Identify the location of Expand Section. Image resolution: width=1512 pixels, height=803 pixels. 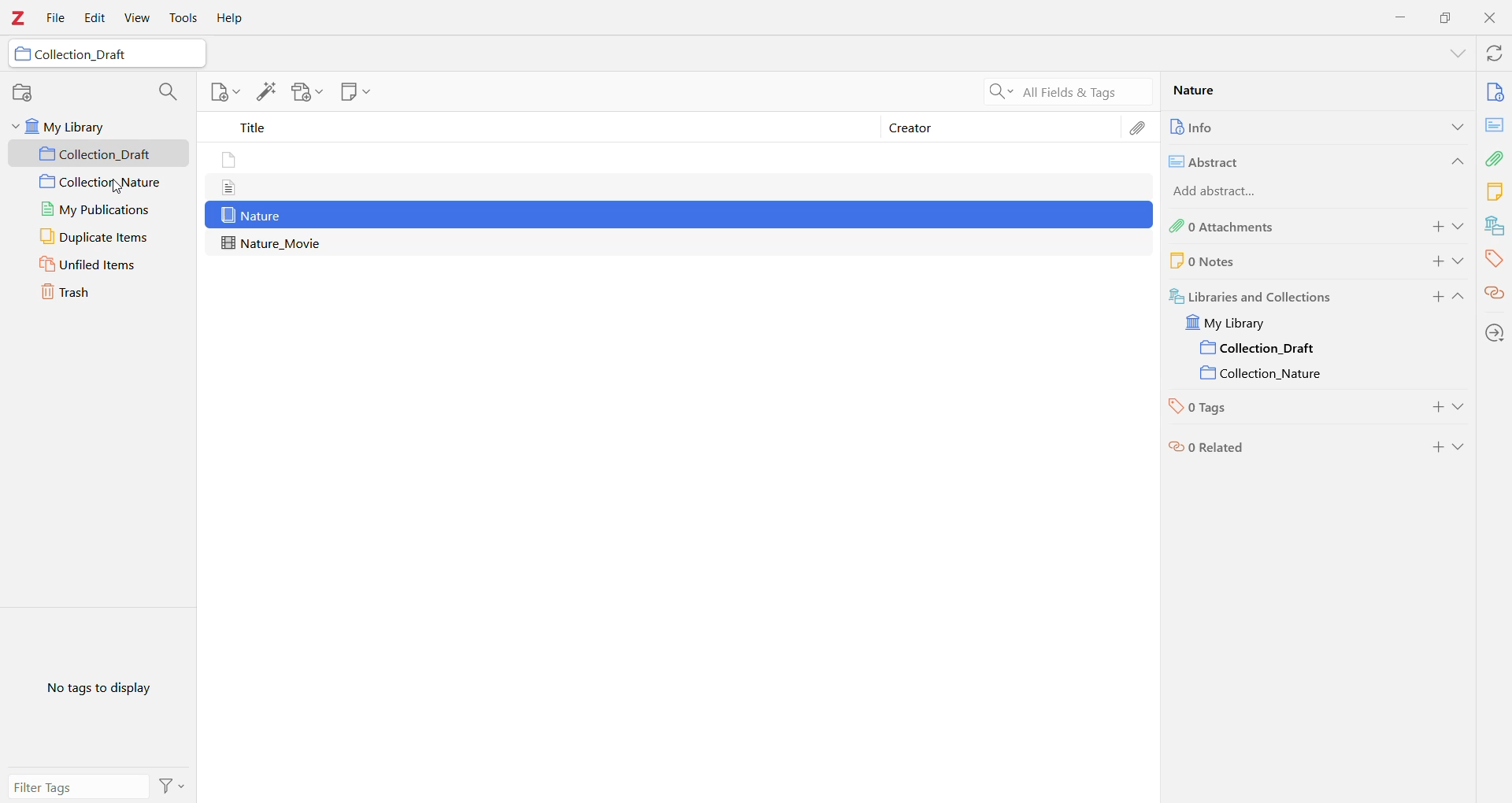
(1455, 126).